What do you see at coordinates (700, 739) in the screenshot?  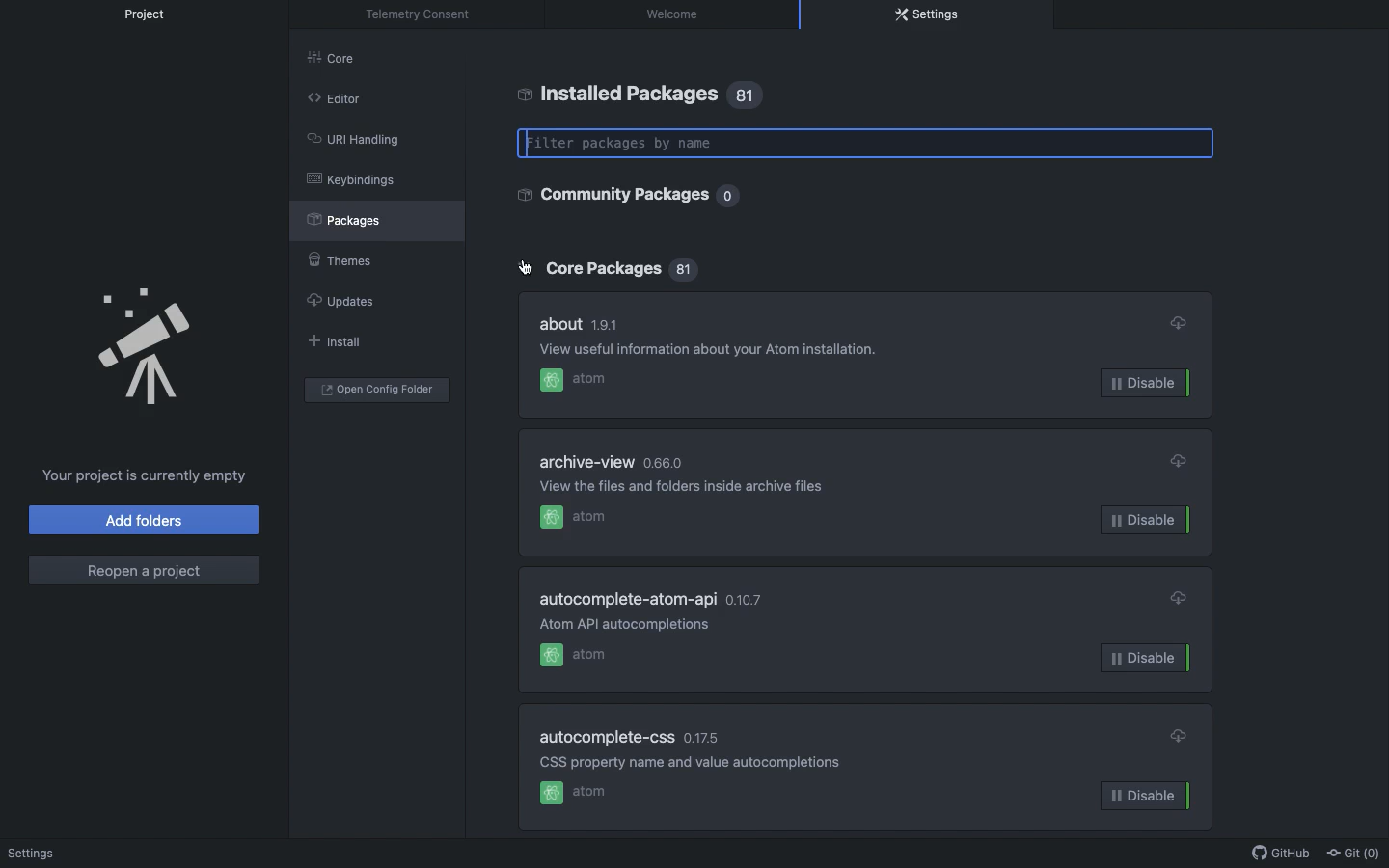 I see `0.175` at bounding box center [700, 739].